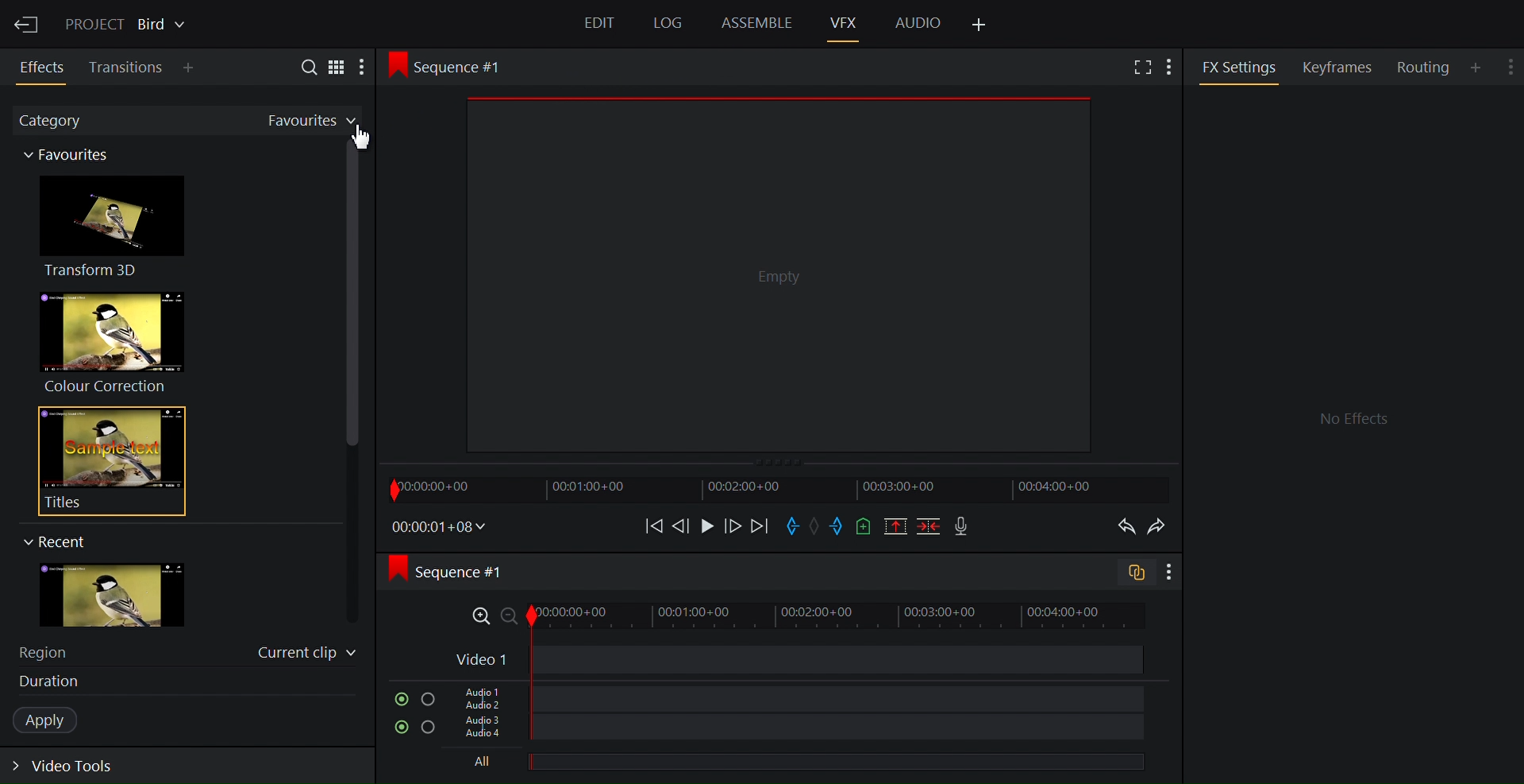 This screenshot has height=784, width=1524. Describe the element at coordinates (845, 22) in the screenshot. I see `VFX` at that location.